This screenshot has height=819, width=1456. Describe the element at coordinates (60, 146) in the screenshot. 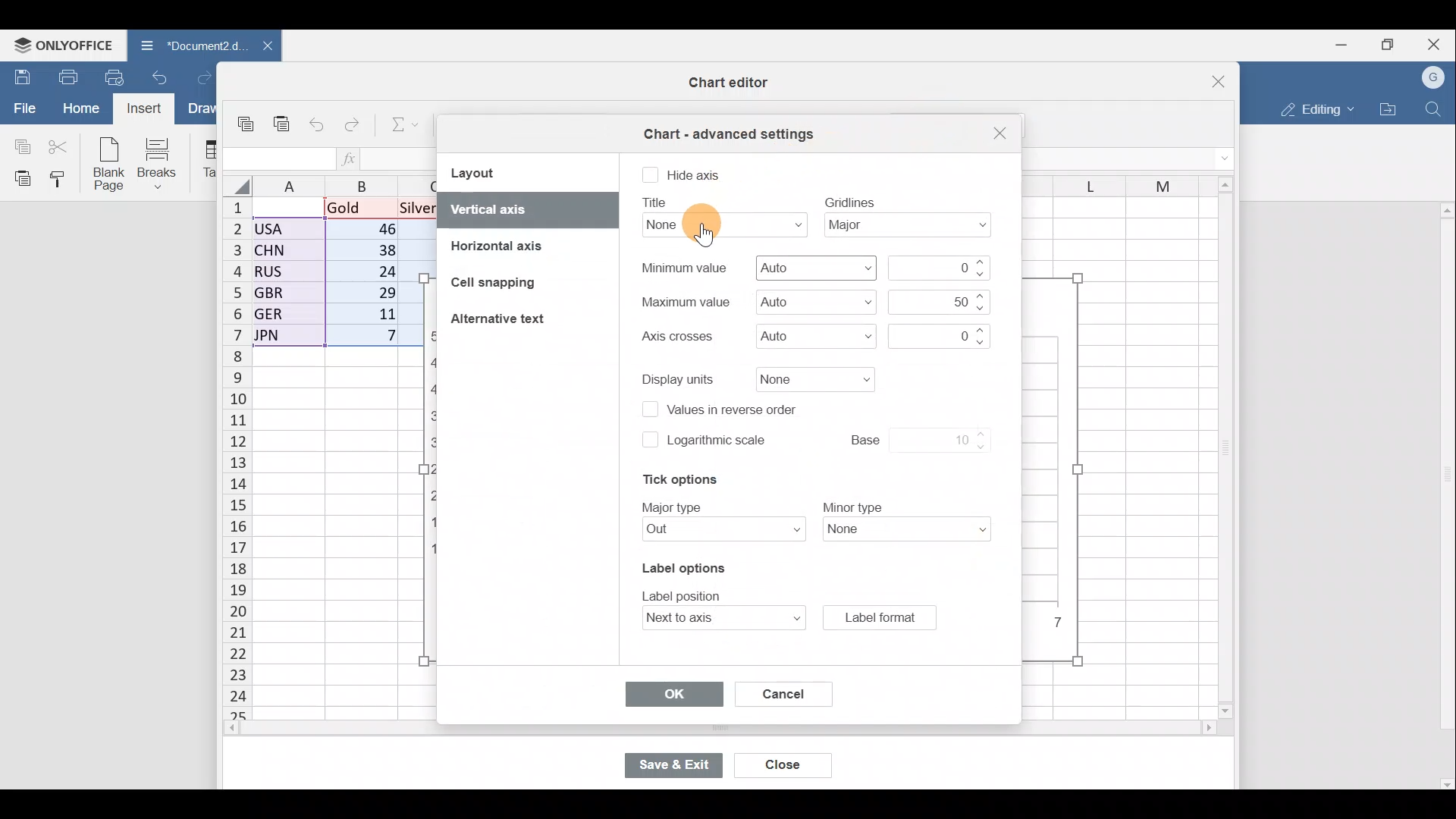

I see `Cut` at that location.